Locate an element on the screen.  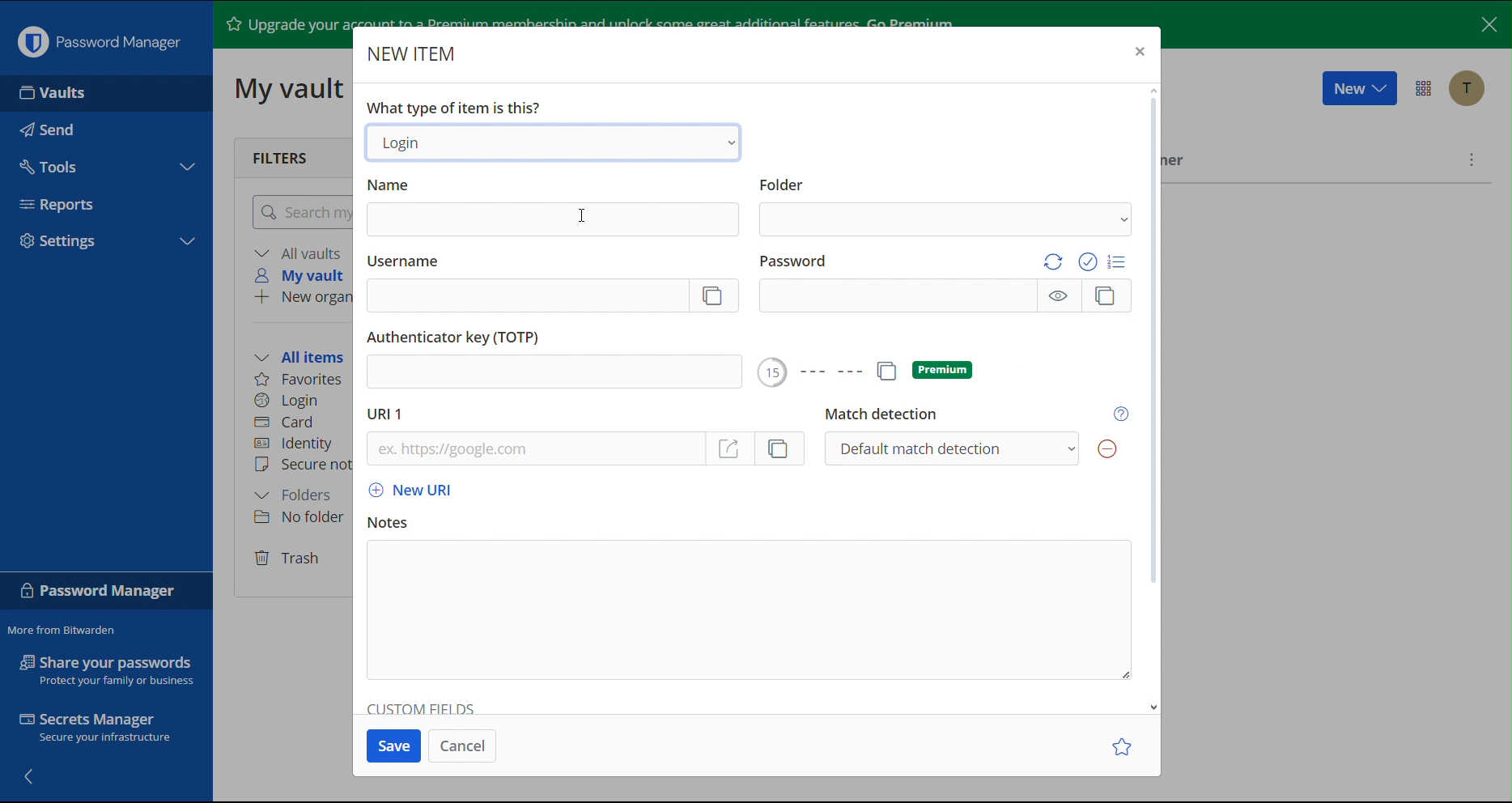
Share your passwords is located at coordinates (106, 659).